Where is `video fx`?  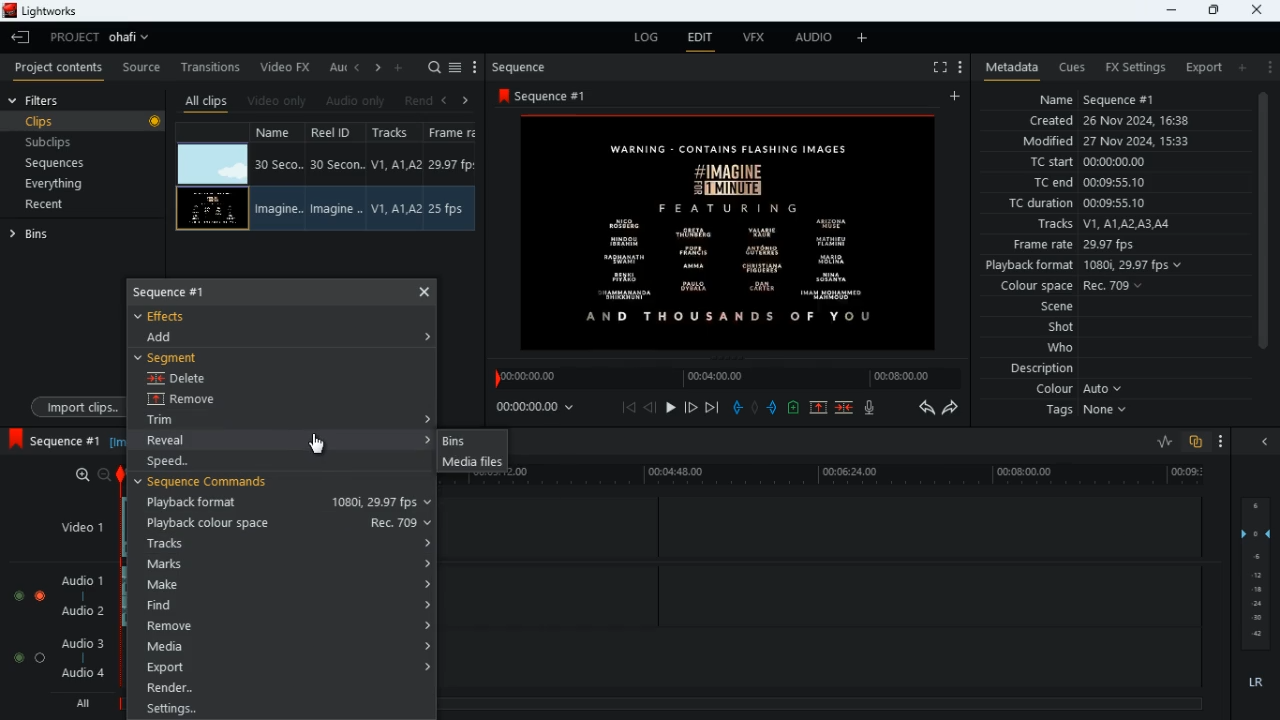
video fx is located at coordinates (288, 67).